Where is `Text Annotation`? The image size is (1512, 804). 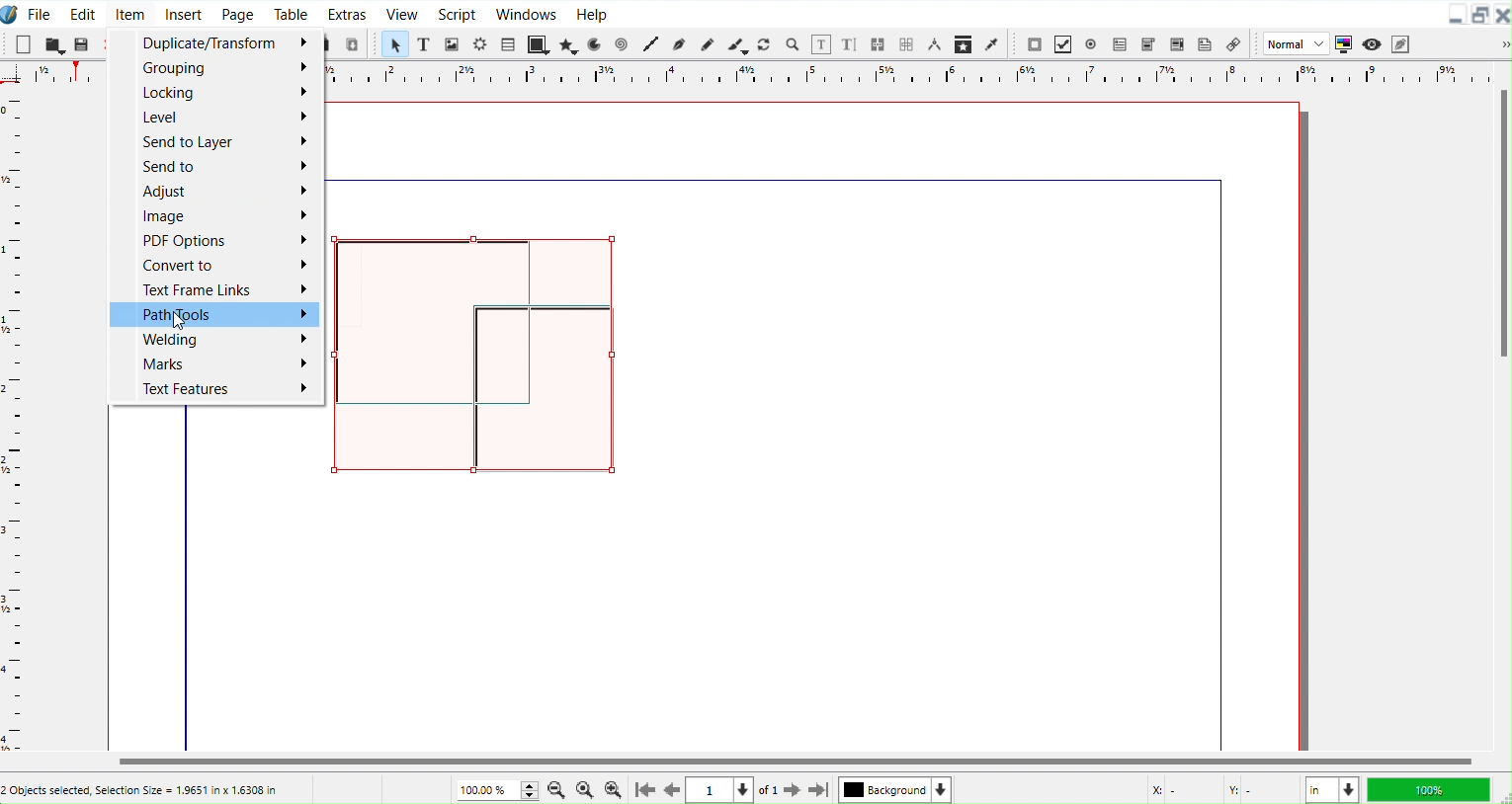
Text Annotation is located at coordinates (1205, 42).